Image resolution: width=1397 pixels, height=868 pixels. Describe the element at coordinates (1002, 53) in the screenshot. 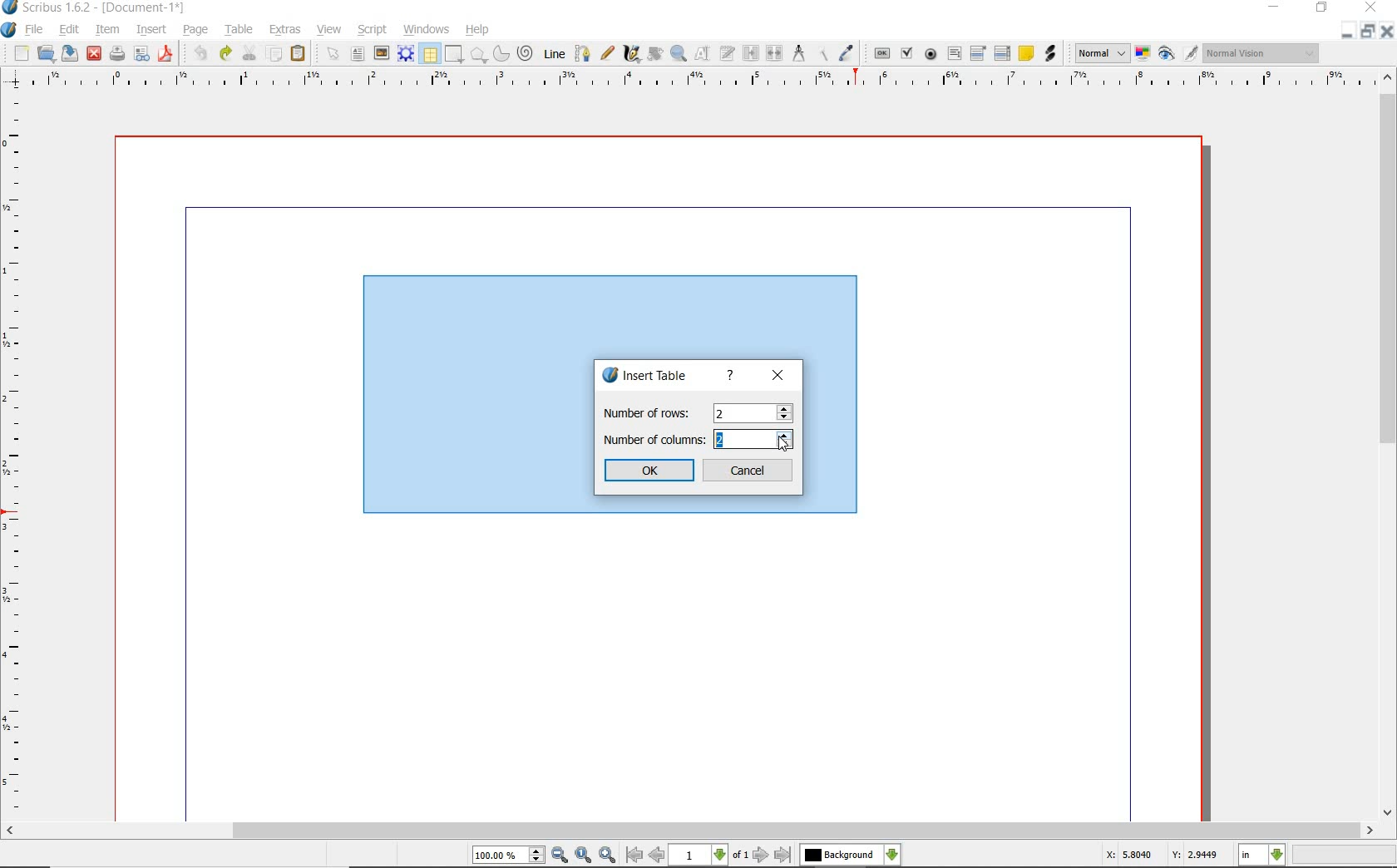

I see `PDF List Box` at that location.